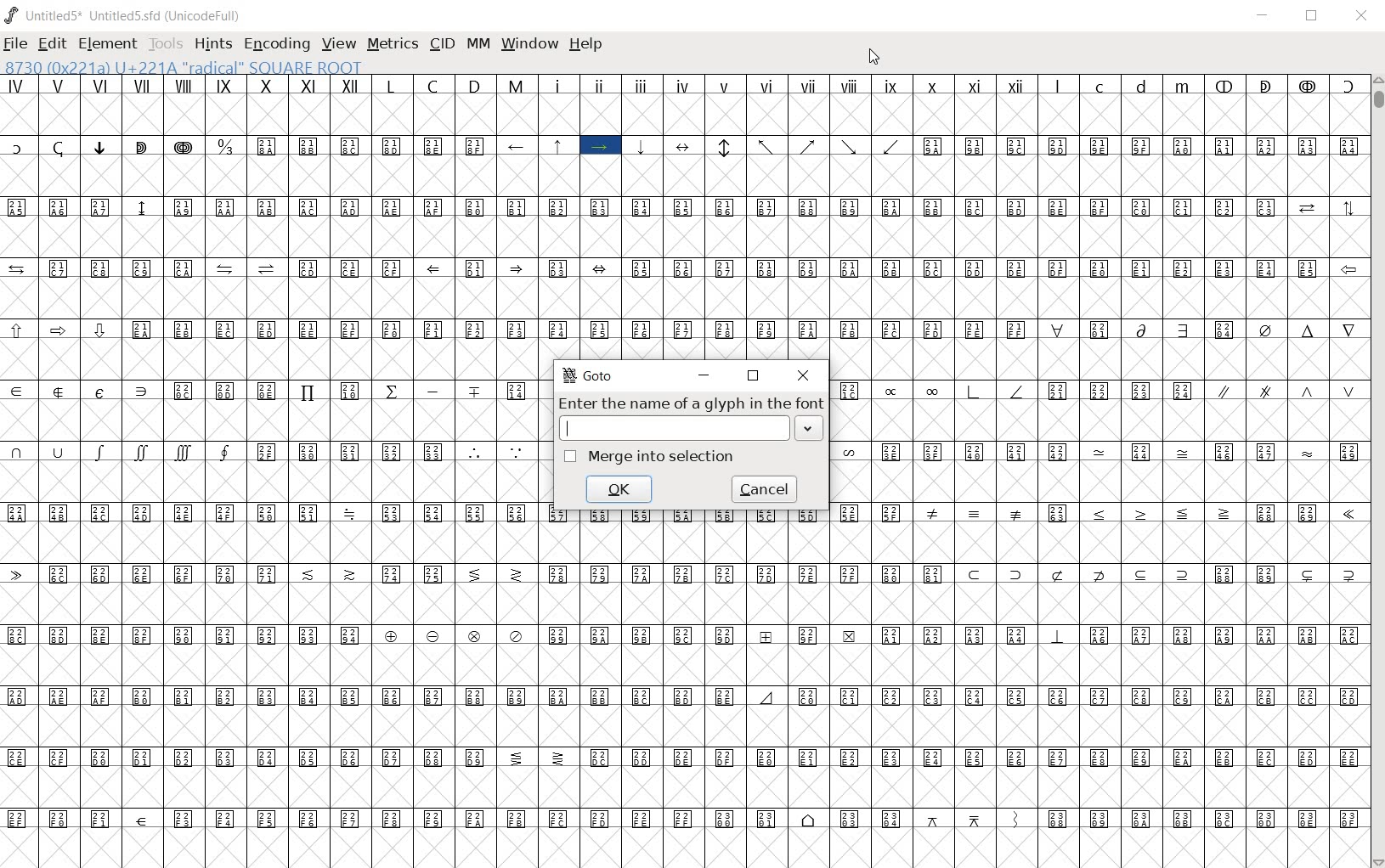  Describe the element at coordinates (275, 42) in the screenshot. I see `ENCODING` at that location.